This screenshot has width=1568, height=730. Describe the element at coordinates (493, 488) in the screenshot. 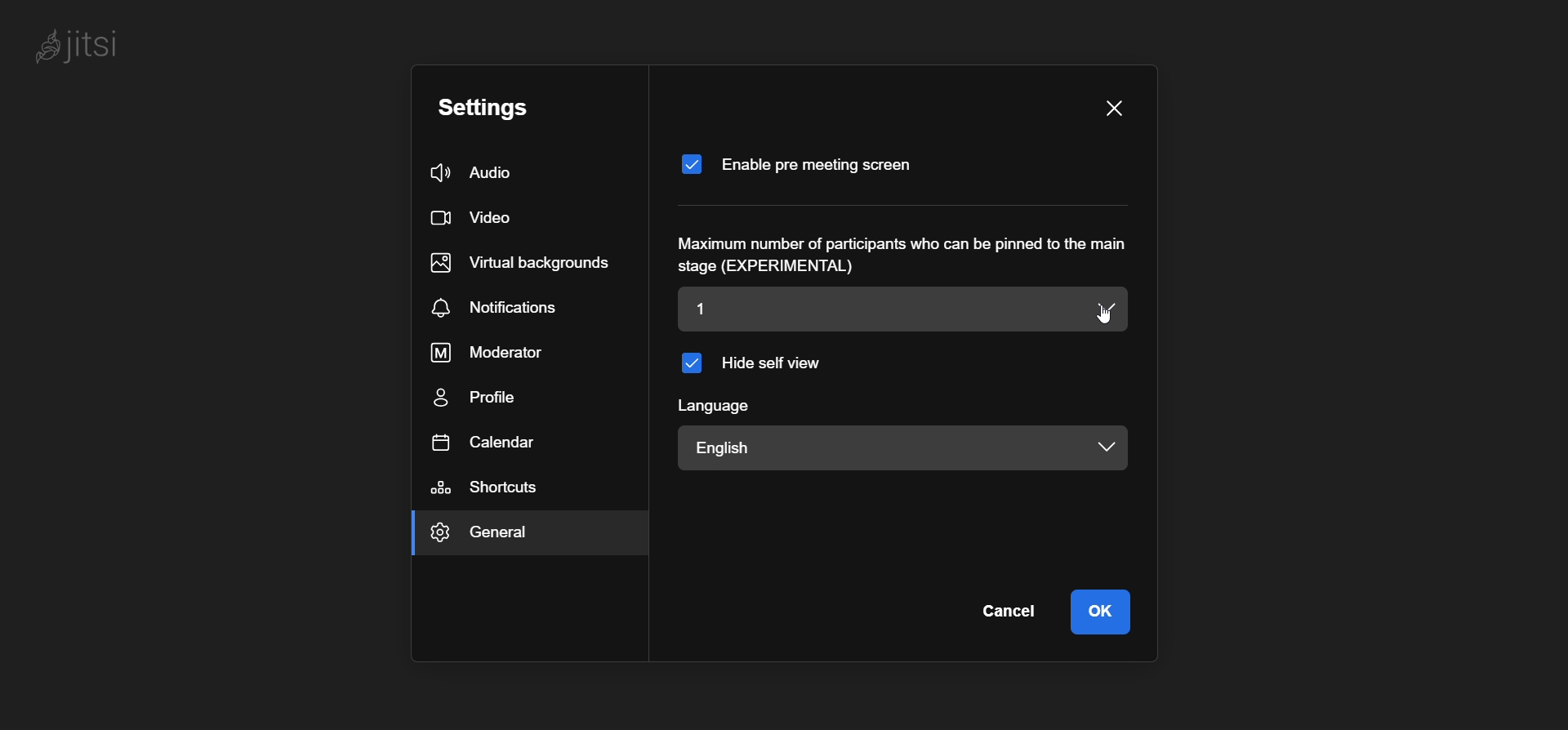

I see `shortcuts` at that location.